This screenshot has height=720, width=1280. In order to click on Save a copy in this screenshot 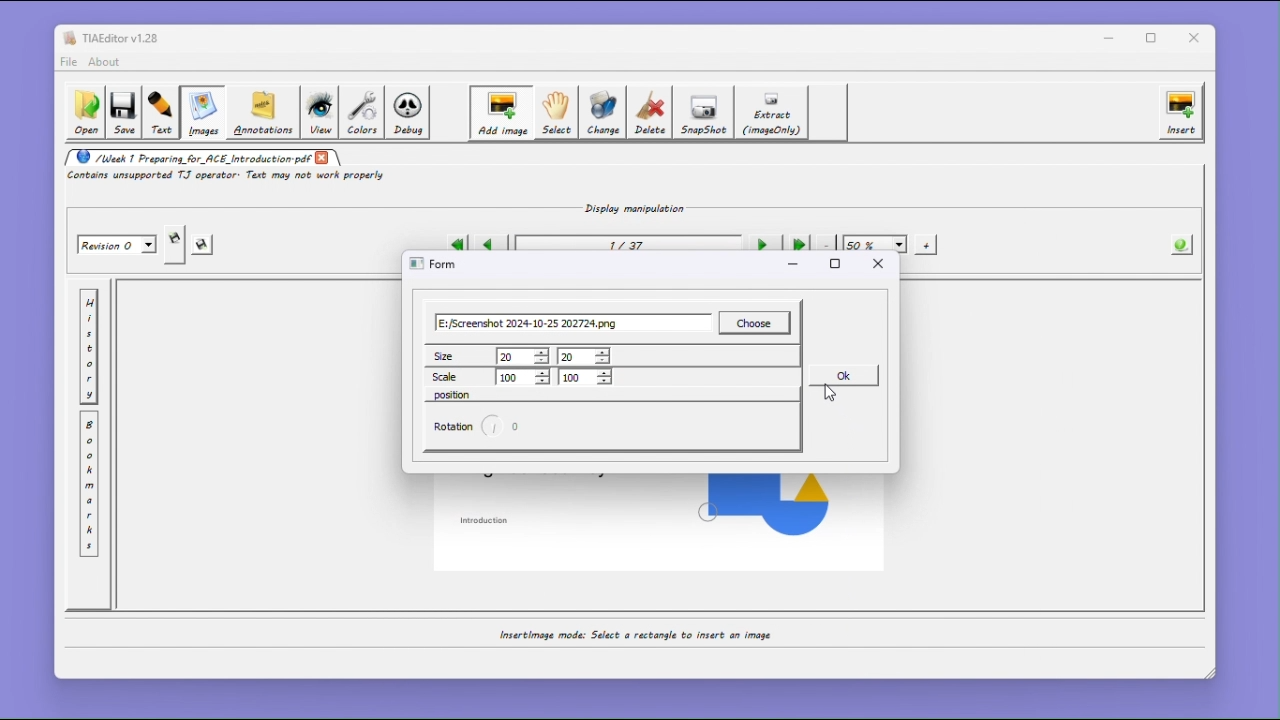, I will do `click(175, 245)`.